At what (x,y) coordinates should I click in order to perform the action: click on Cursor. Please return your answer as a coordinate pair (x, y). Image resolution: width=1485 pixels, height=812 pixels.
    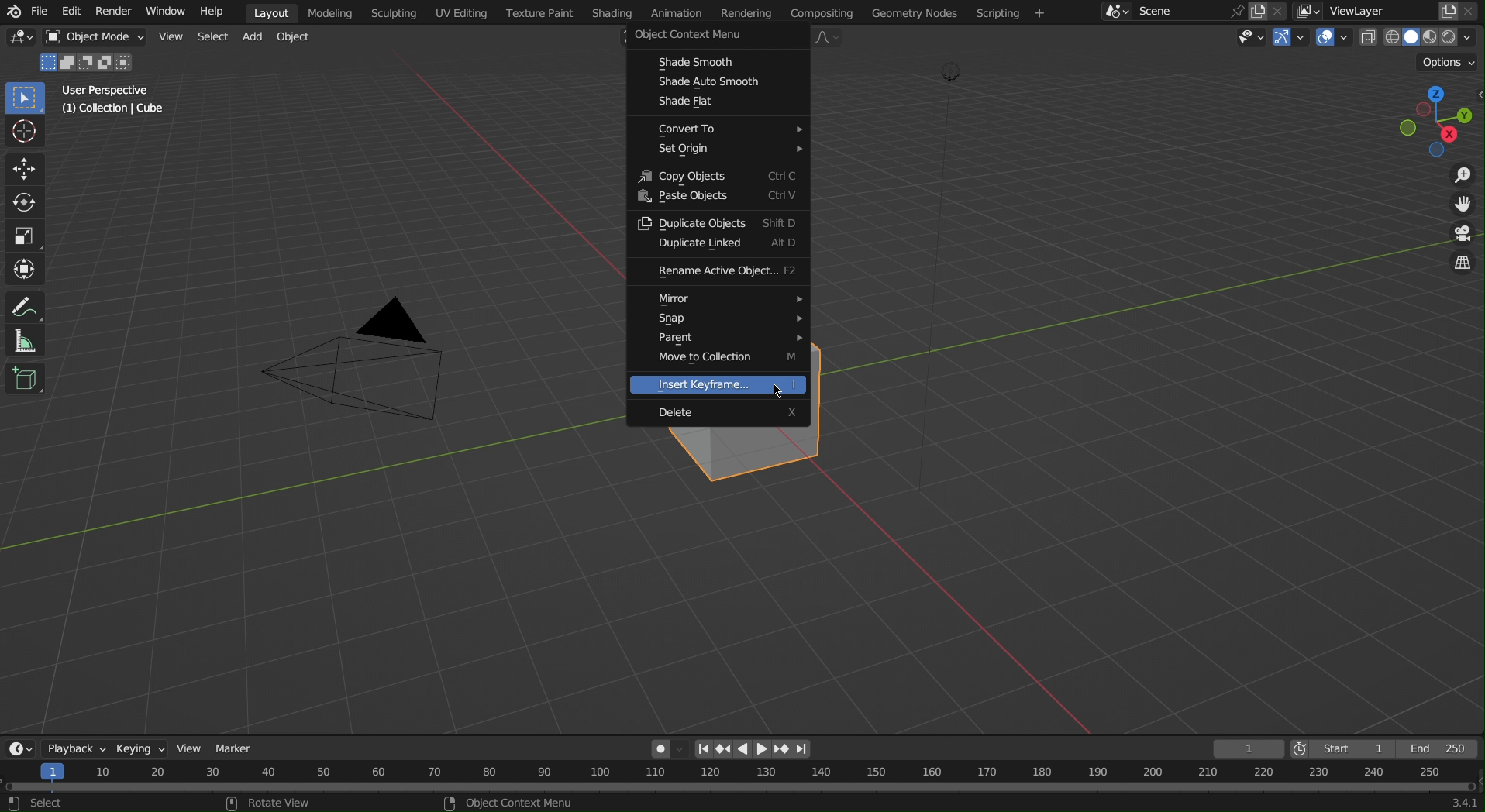
    Looking at the image, I should click on (23, 134).